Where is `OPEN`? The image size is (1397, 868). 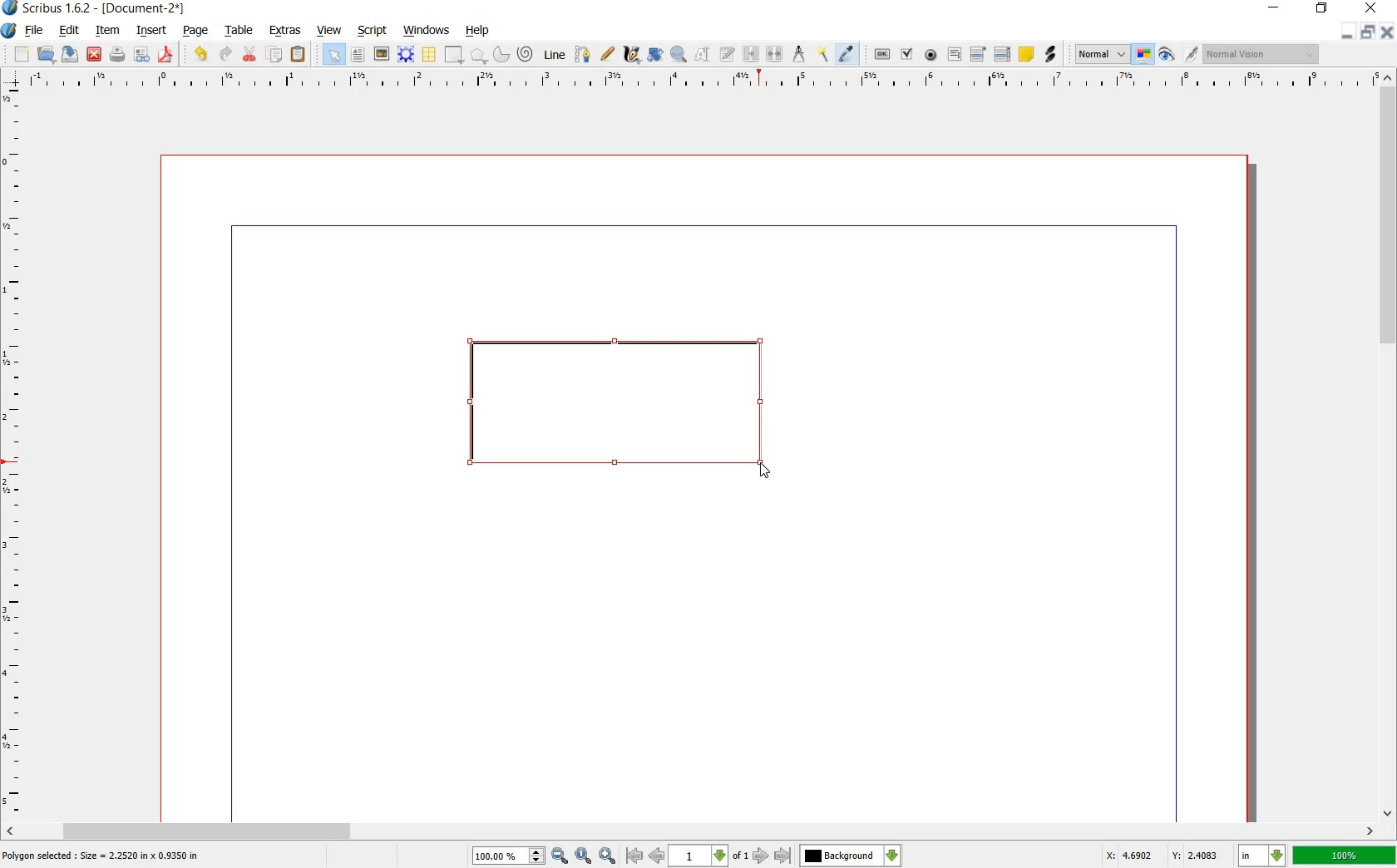
OPEN is located at coordinates (47, 55).